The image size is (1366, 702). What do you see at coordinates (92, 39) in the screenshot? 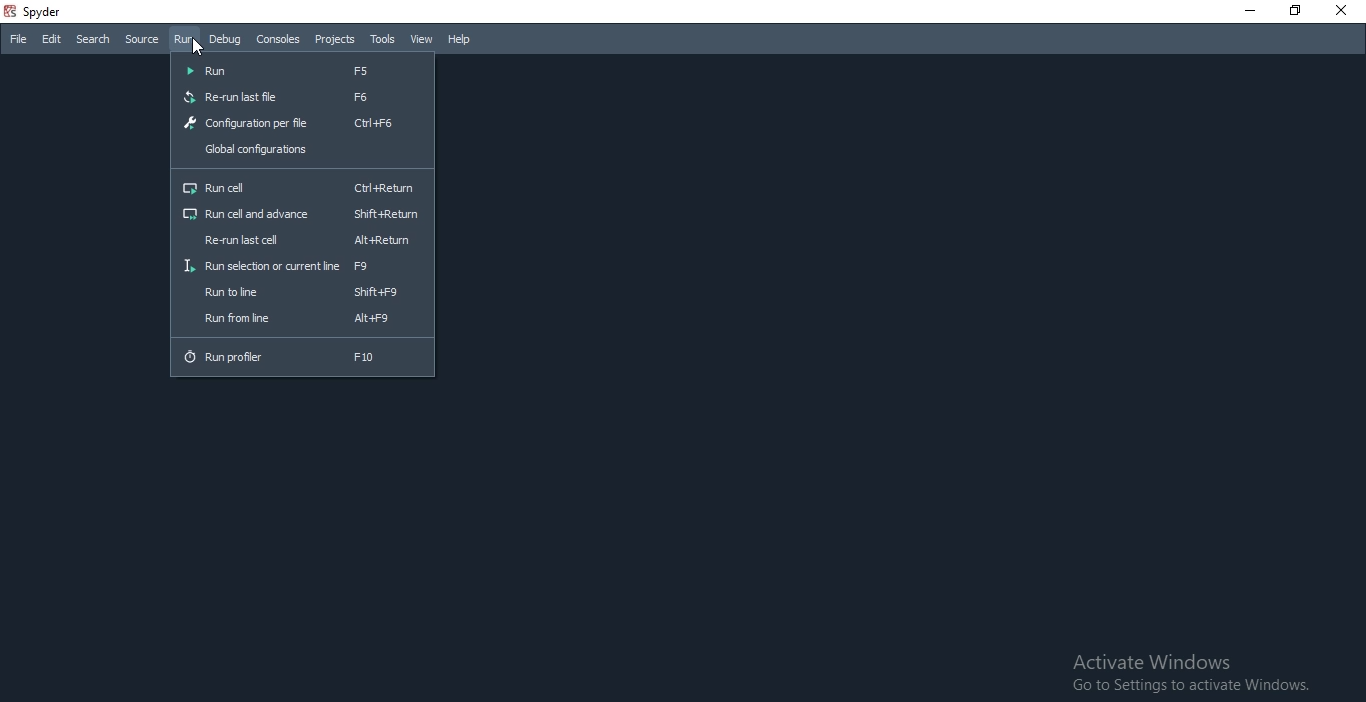
I see `Search` at bounding box center [92, 39].